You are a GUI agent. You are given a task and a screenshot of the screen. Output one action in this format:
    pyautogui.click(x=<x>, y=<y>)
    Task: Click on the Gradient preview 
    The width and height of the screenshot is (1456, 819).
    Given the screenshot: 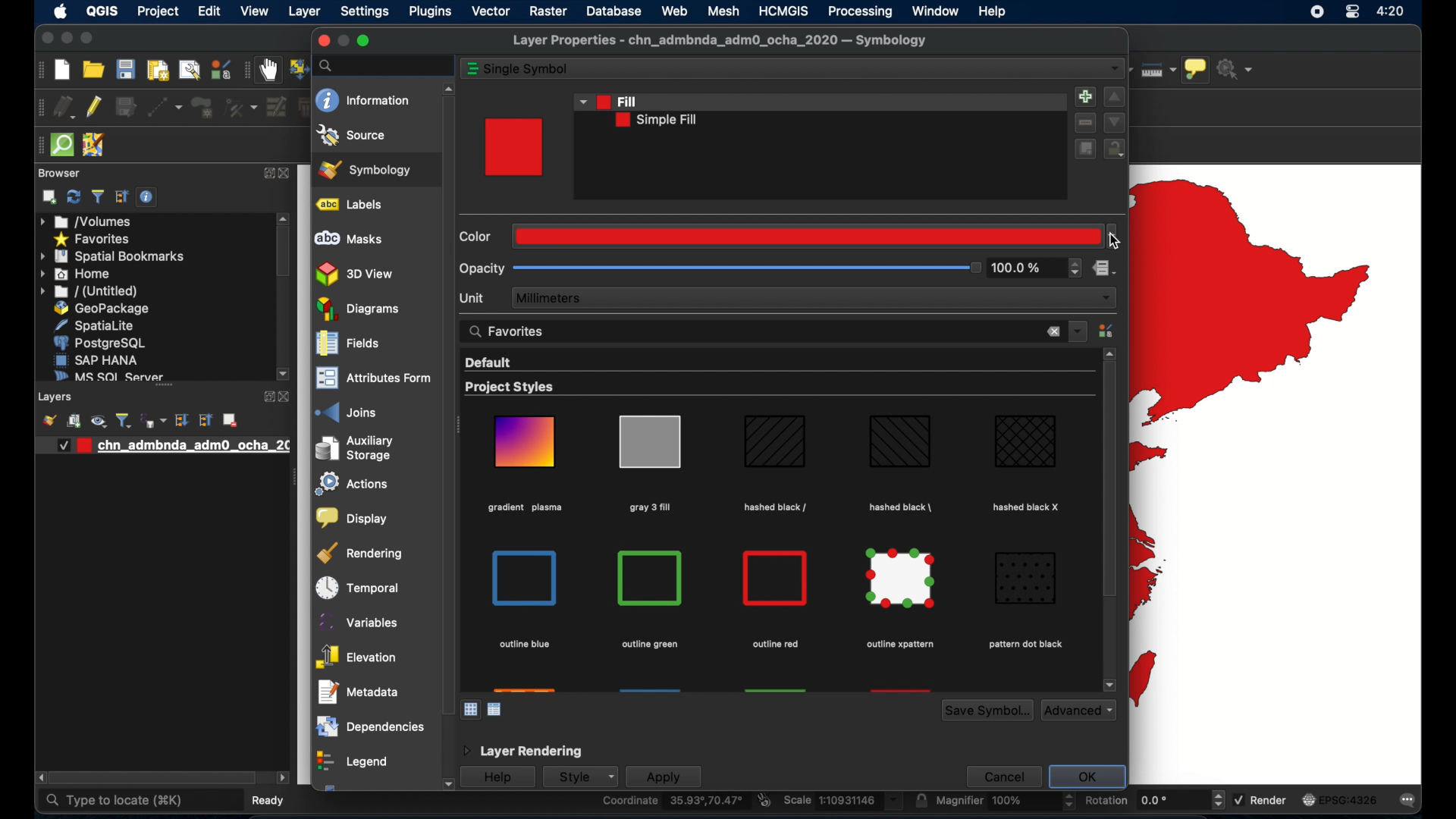 What is the action you would take?
    pyautogui.click(x=899, y=442)
    